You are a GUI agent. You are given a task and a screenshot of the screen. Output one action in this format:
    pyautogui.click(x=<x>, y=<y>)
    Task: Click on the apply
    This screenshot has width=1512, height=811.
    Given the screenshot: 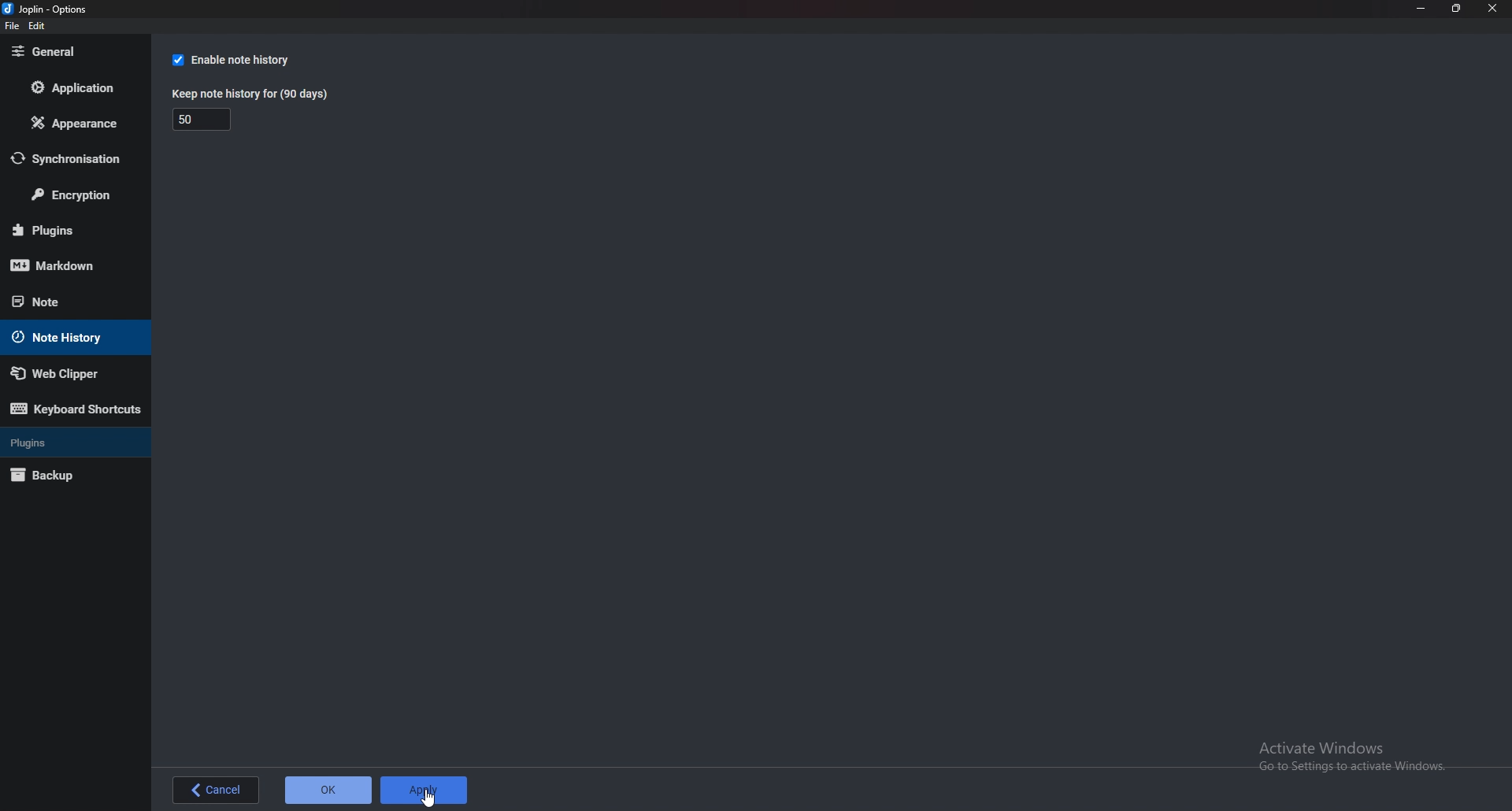 What is the action you would take?
    pyautogui.click(x=424, y=790)
    